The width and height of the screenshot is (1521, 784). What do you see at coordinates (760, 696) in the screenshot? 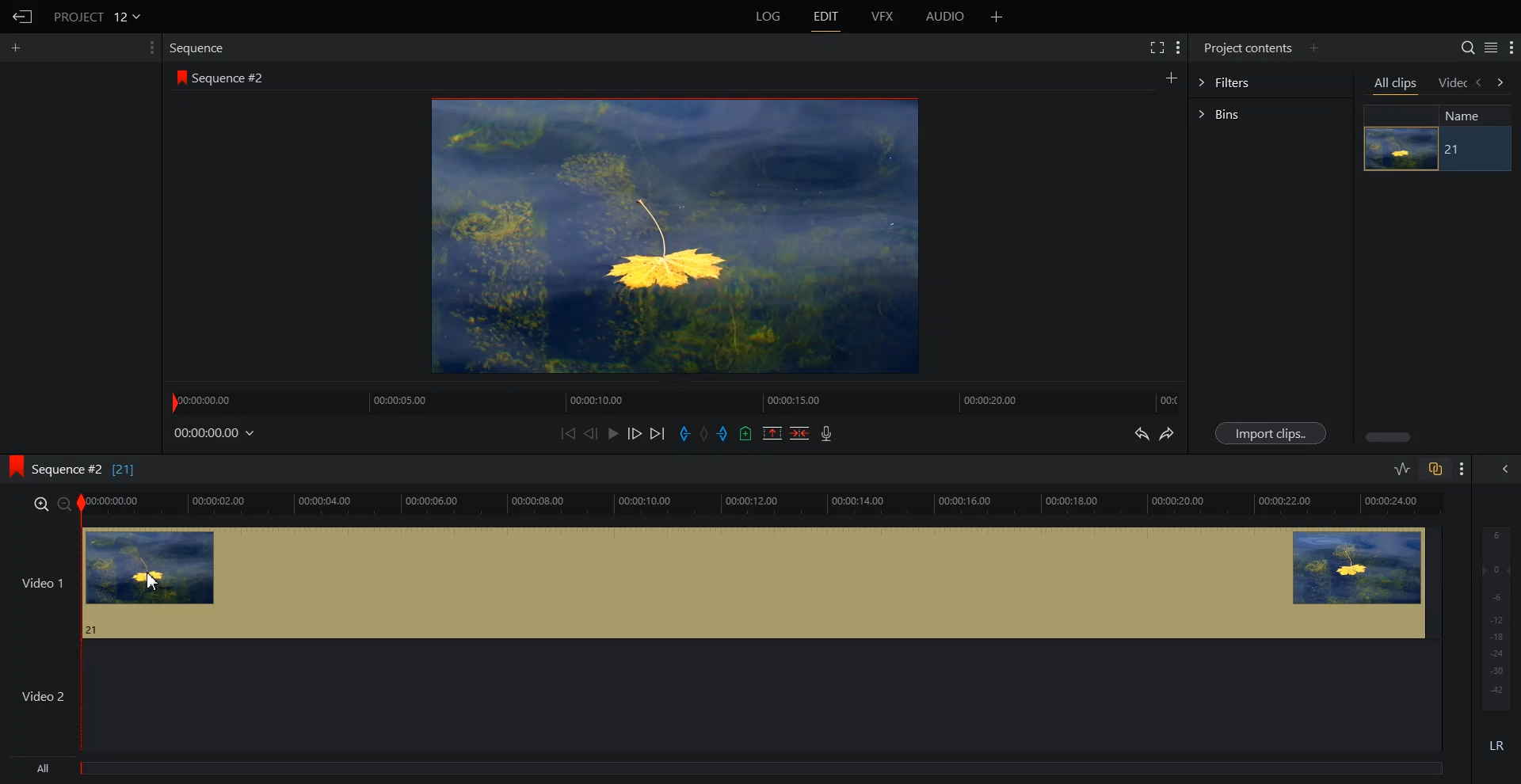
I see `Video 2` at bounding box center [760, 696].